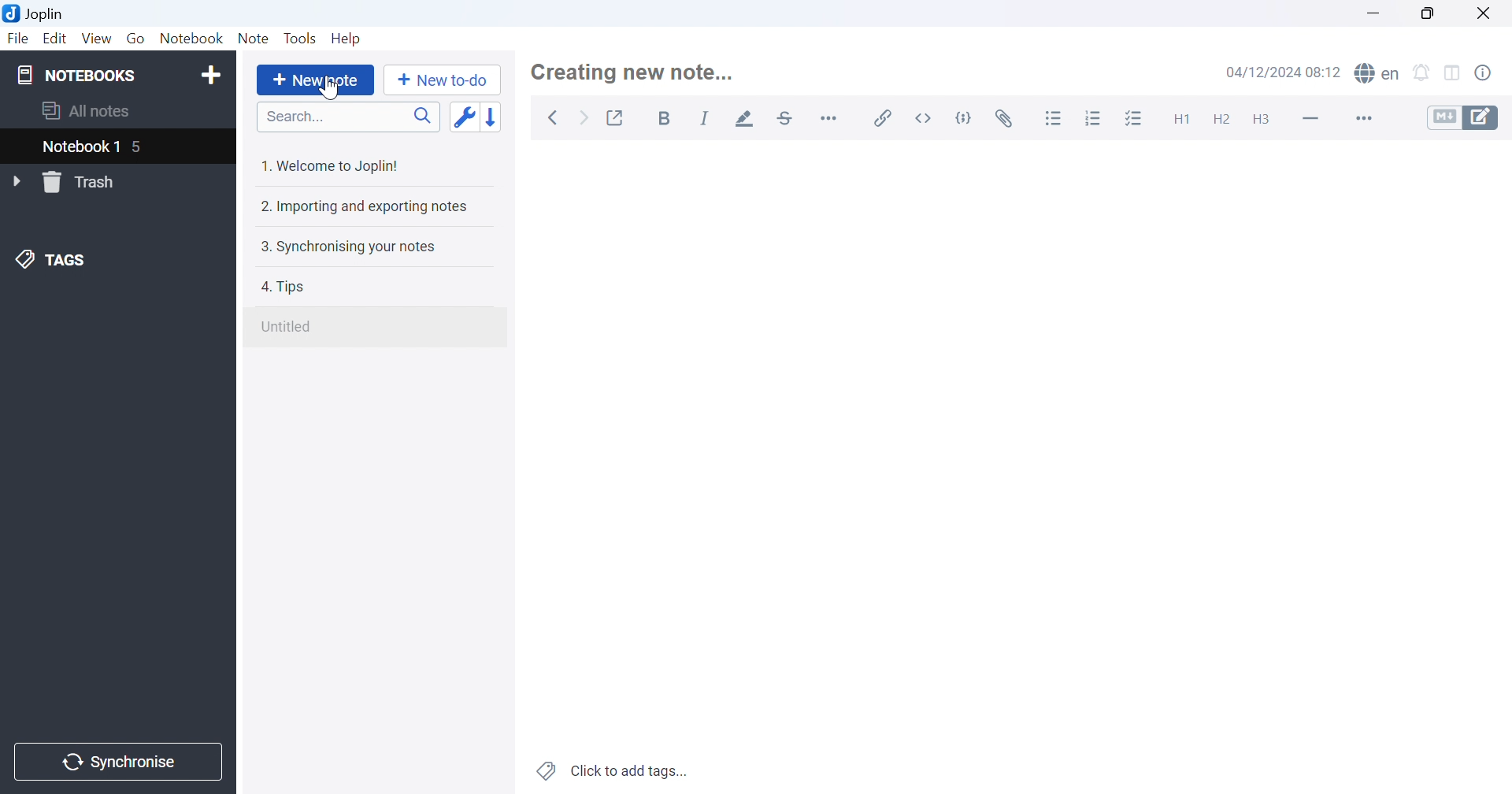 This screenshot has height=794, width=1512. I want to click on Edit, so click(56, 39).